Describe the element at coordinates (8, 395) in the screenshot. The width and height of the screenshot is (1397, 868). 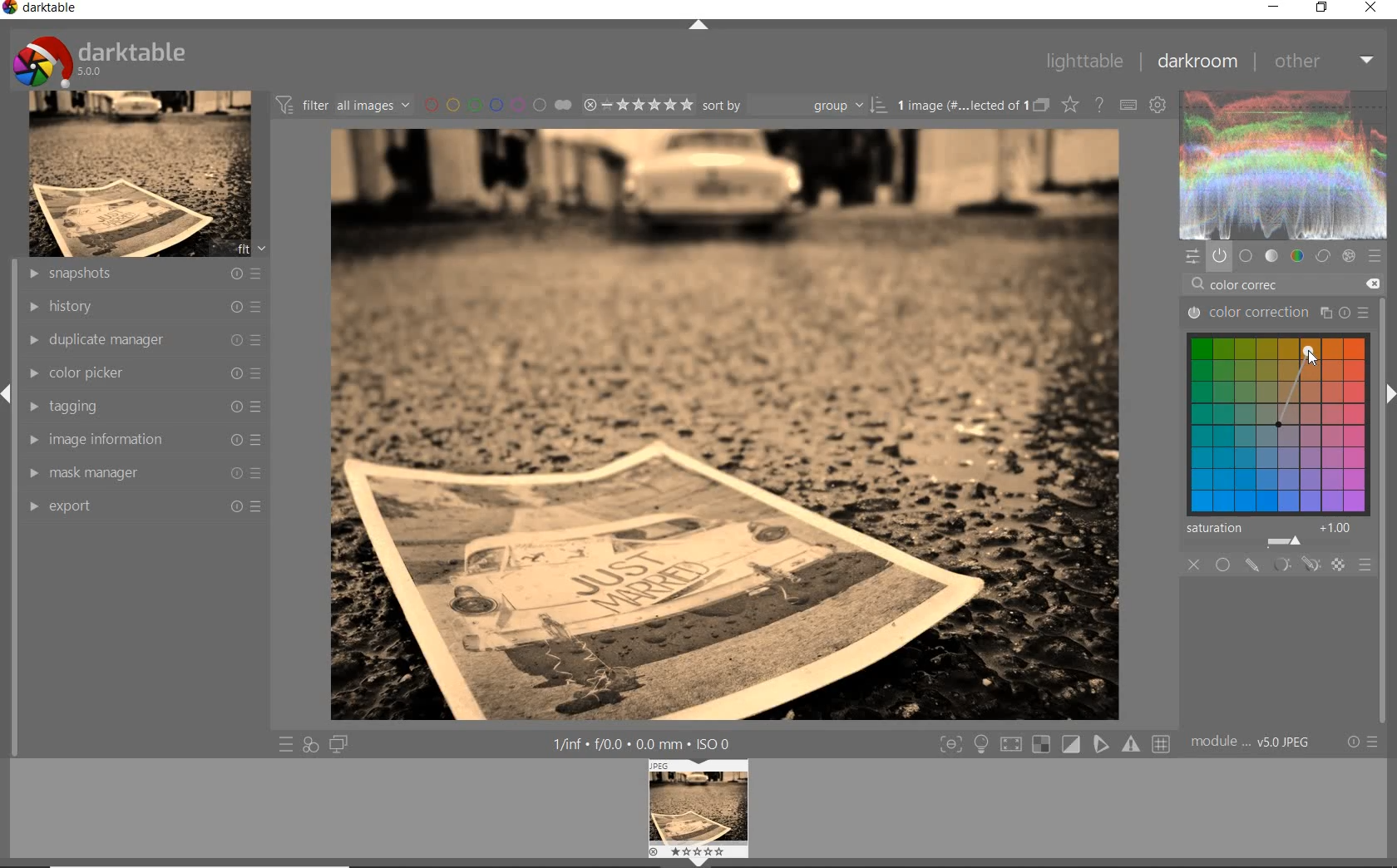
I see `expand/collapse` at that location.